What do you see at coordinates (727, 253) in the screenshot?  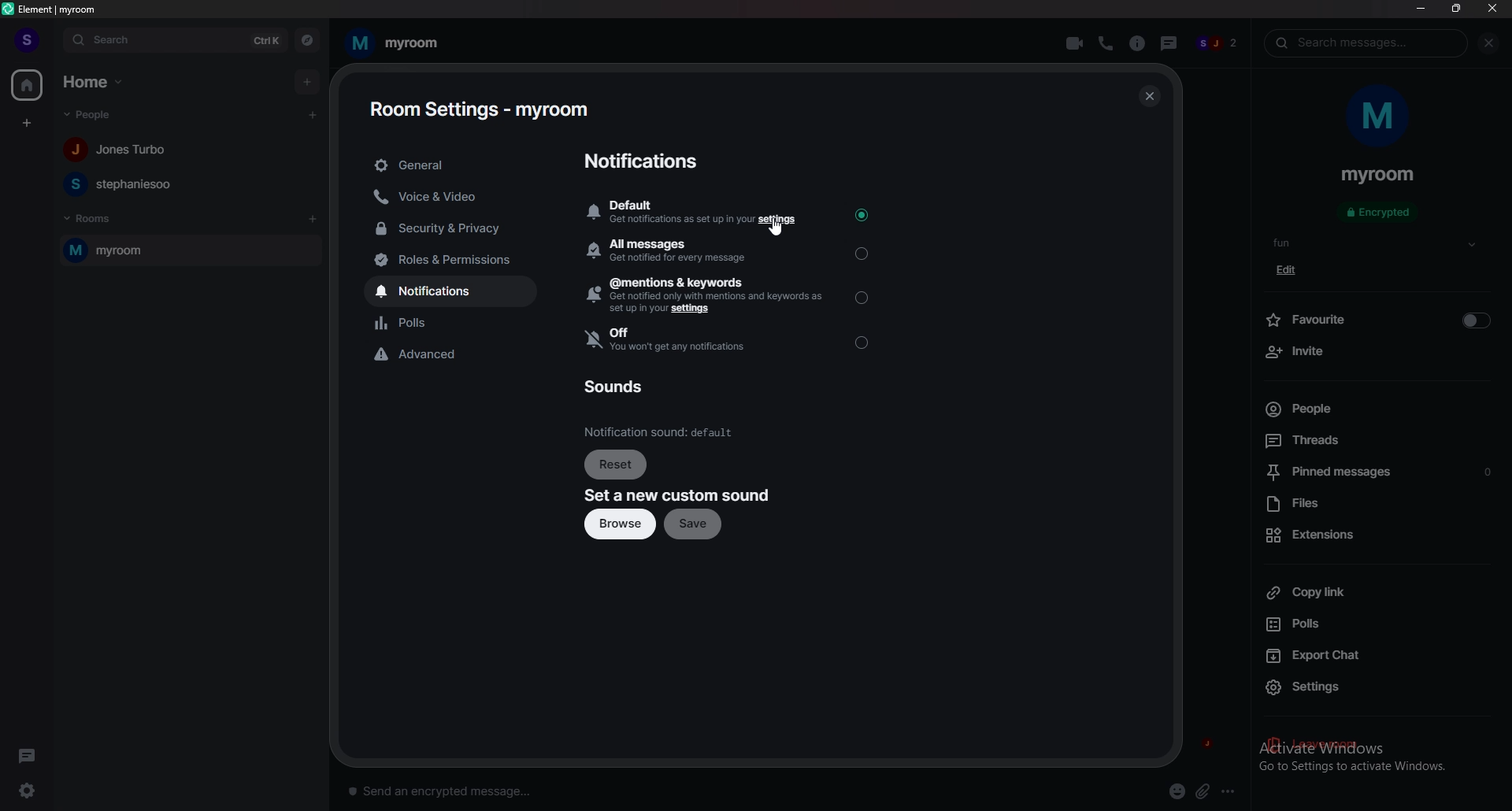 I see `all messages` at bounding box center [727, 253].